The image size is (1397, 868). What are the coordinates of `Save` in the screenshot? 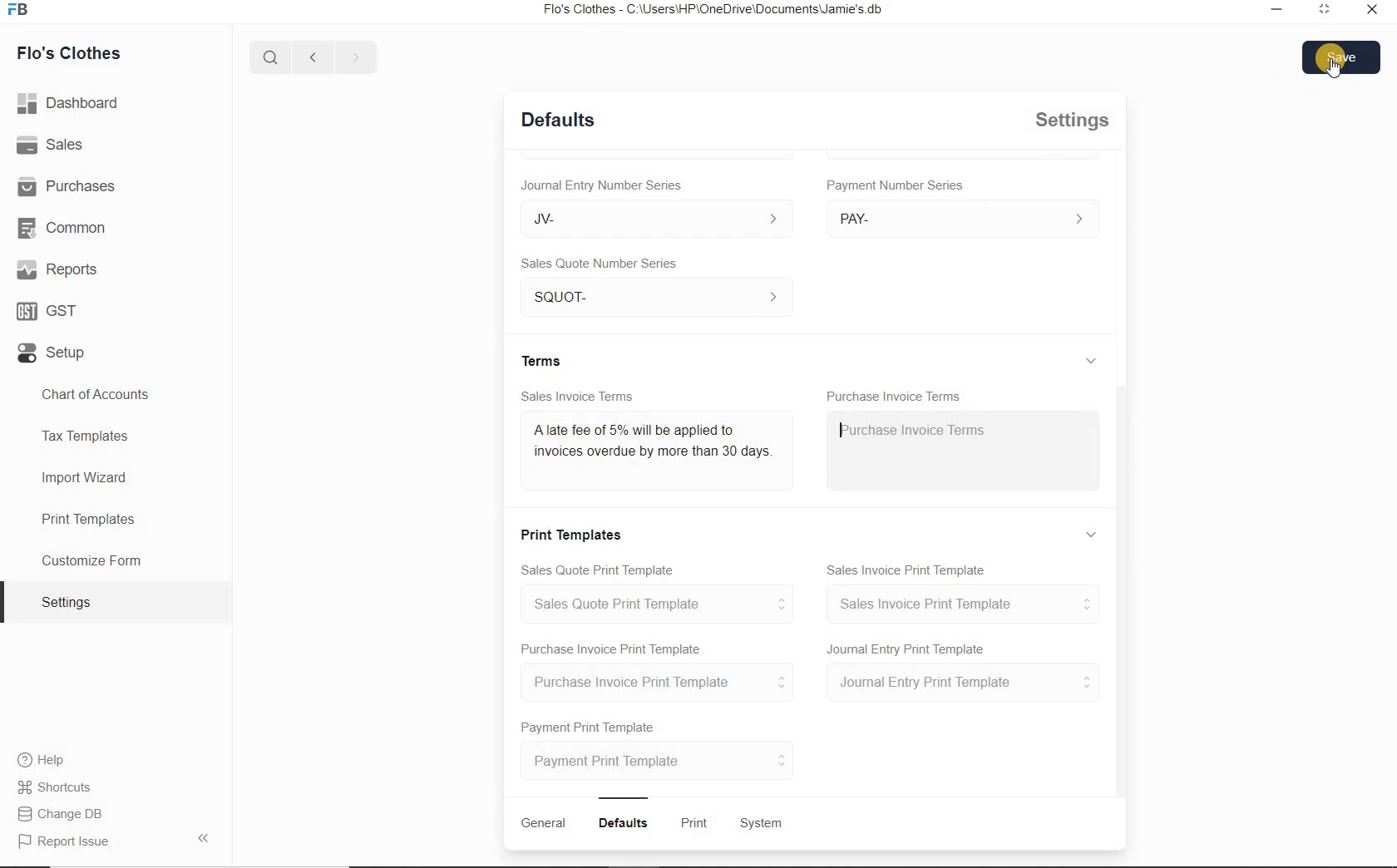 It's located at (1342, 58).